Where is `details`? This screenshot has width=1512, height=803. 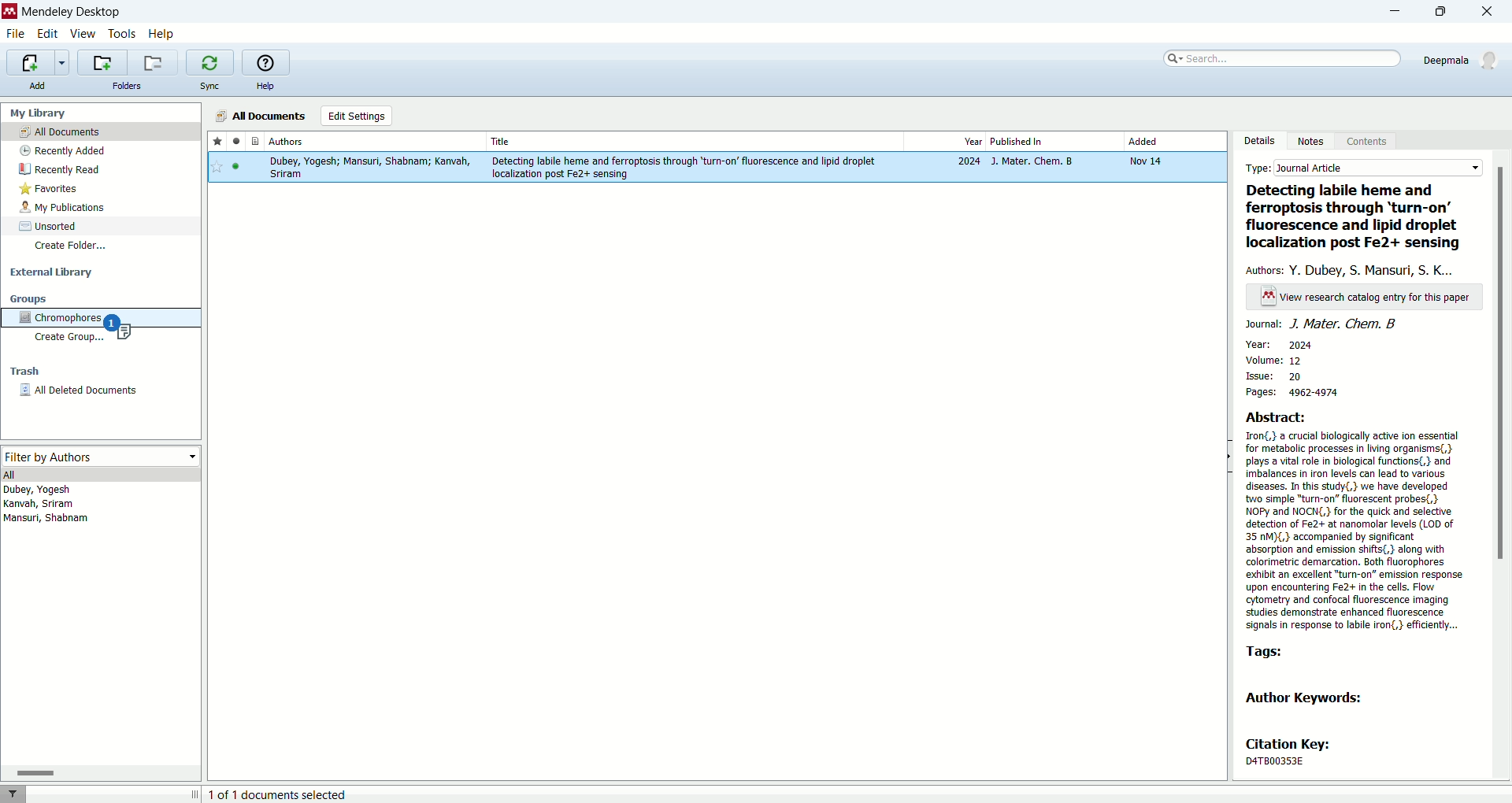 details is located at coordinates (1262, 140).